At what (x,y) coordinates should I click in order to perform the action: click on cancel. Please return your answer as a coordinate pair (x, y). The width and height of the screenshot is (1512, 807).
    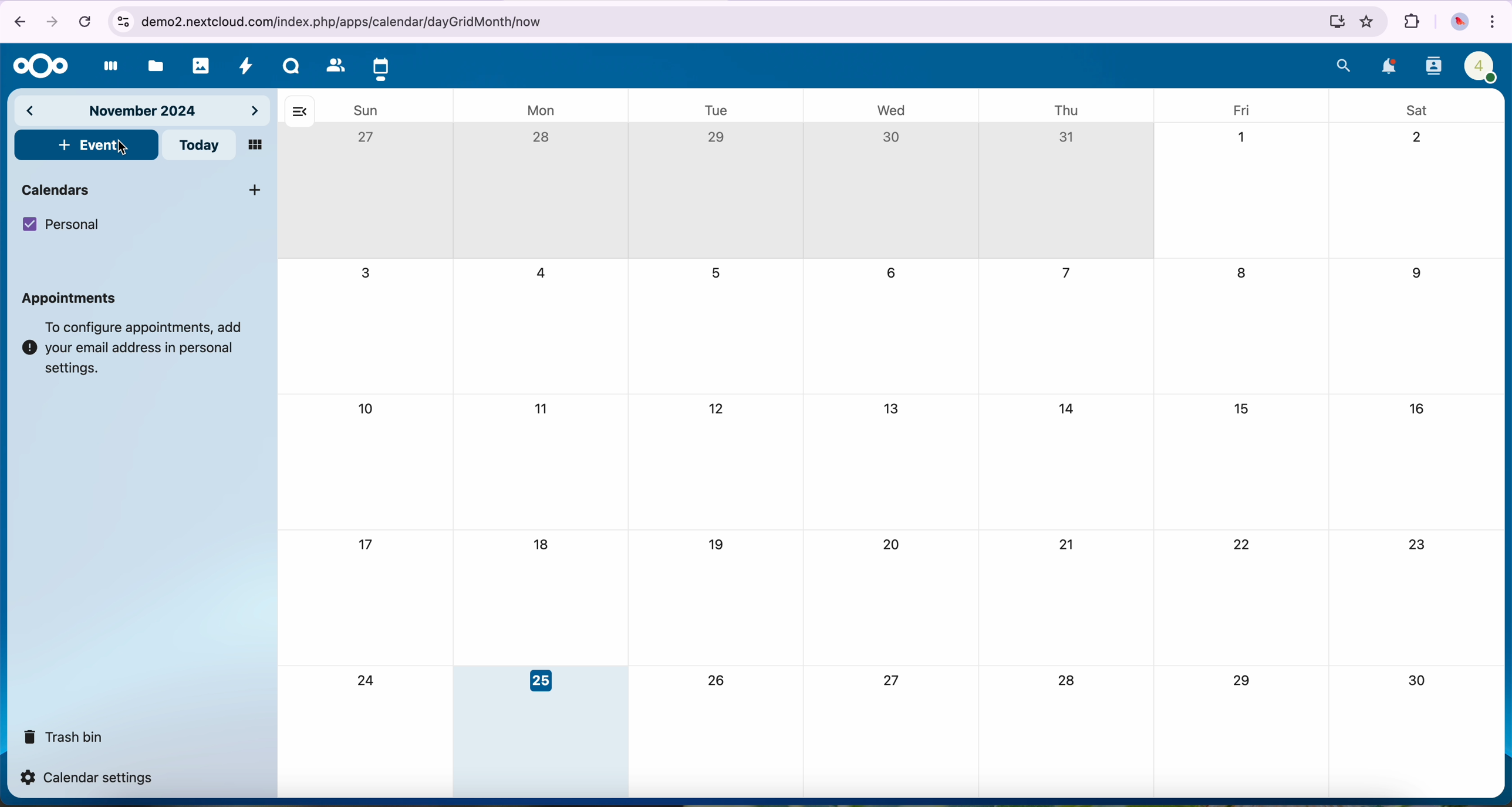
    Looking at the image, I should click on (84, 23).